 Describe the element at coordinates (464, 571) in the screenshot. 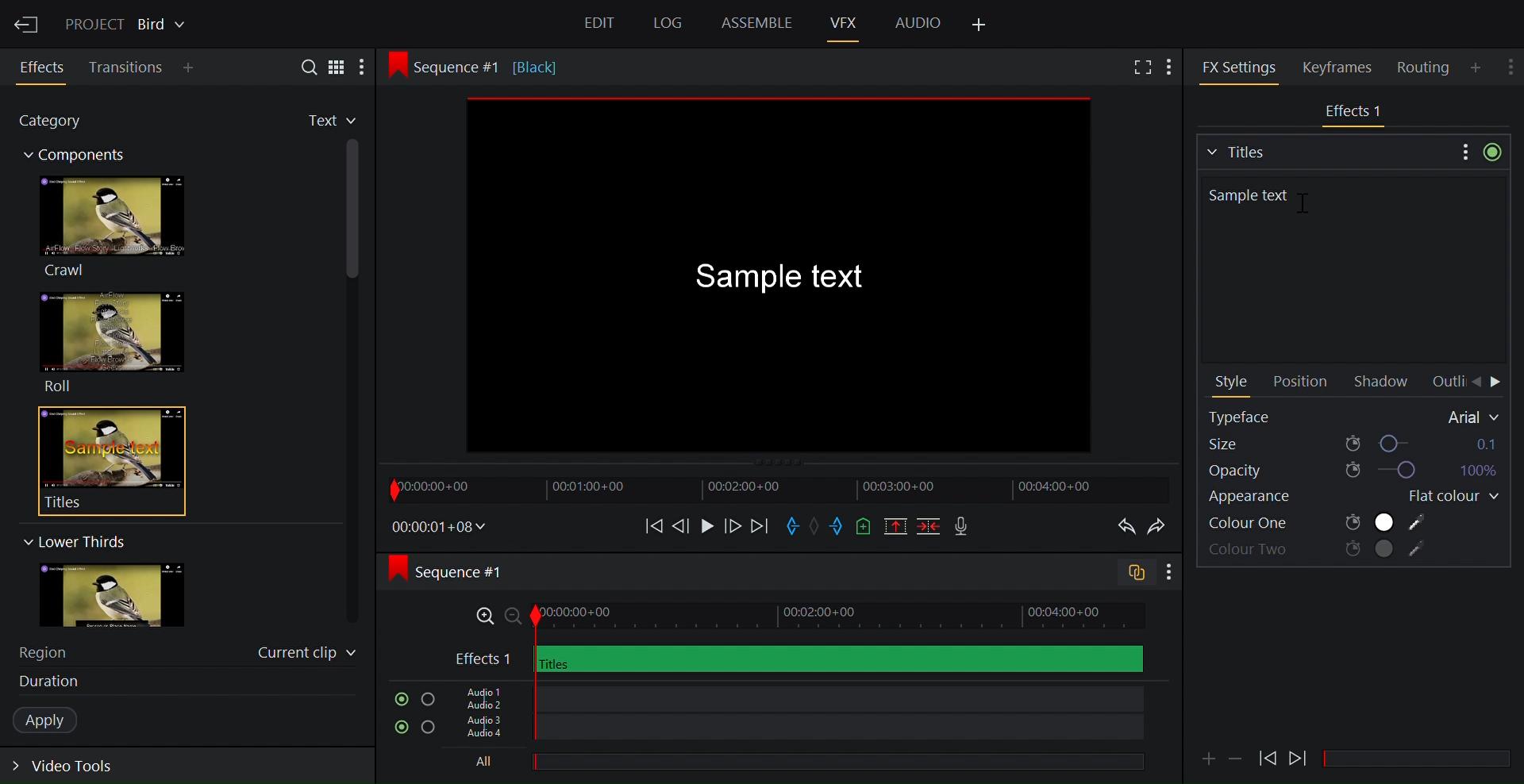

I see `Sequence` at that location.